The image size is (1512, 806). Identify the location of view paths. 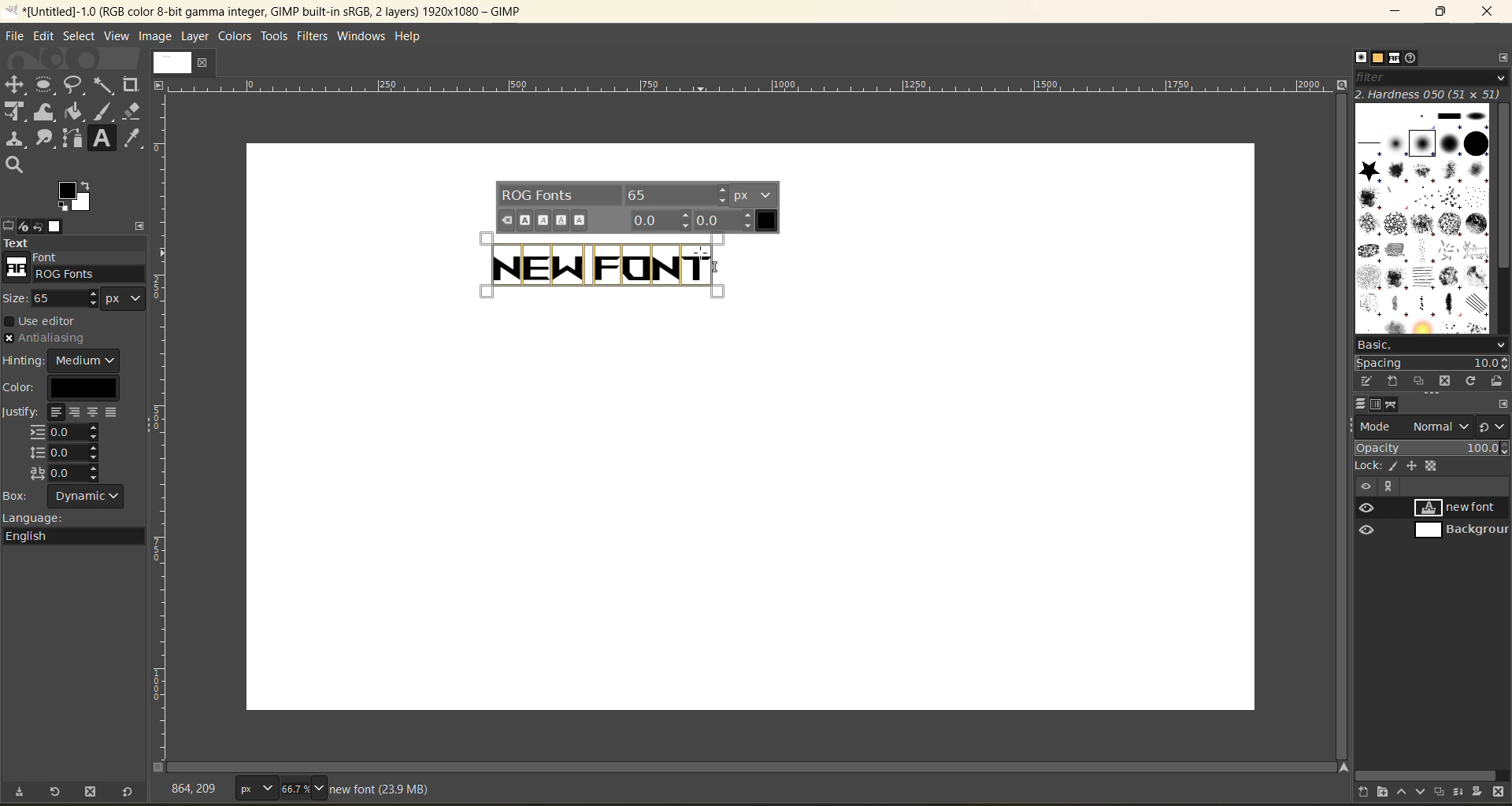
(1388, 486).